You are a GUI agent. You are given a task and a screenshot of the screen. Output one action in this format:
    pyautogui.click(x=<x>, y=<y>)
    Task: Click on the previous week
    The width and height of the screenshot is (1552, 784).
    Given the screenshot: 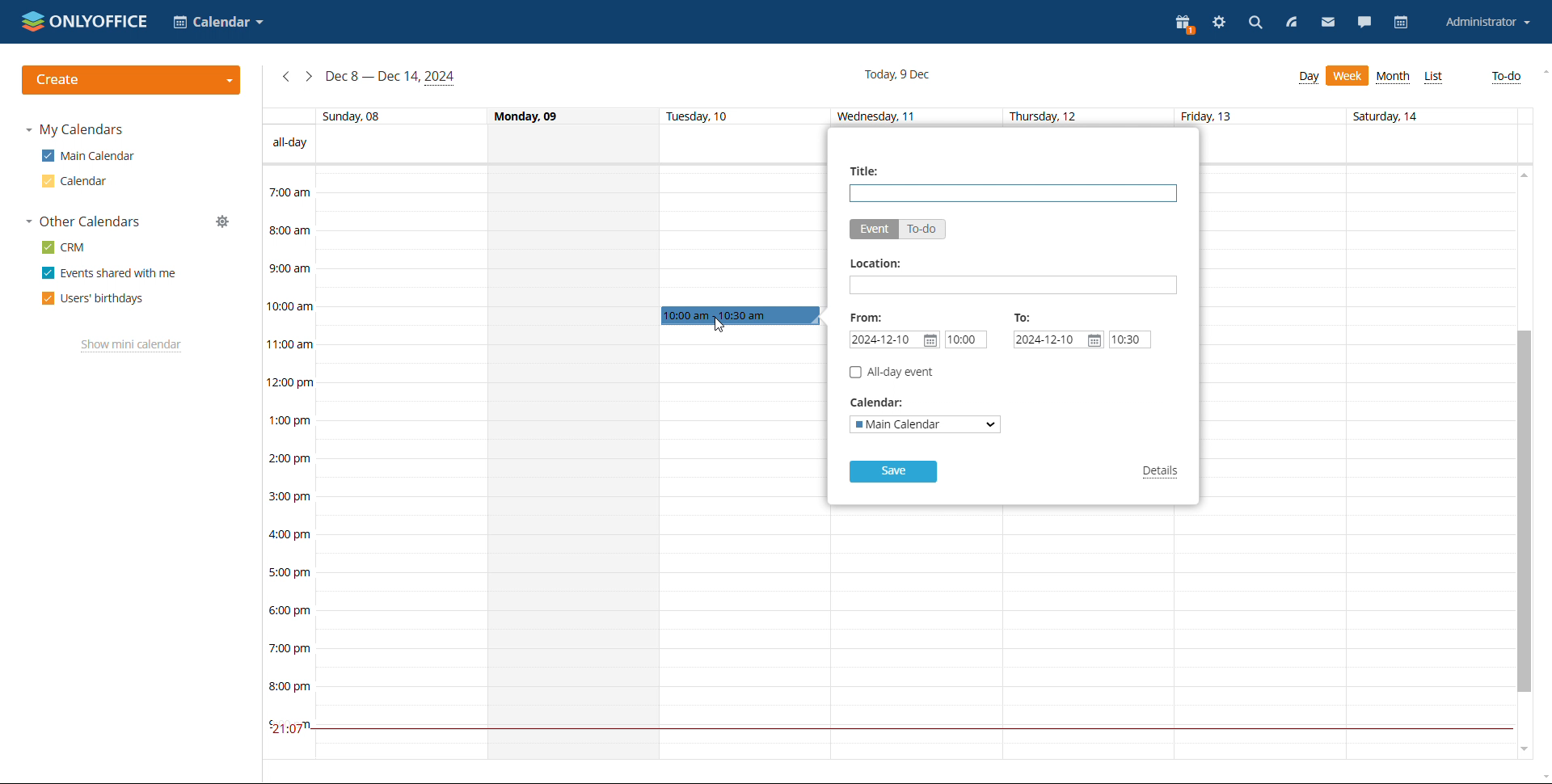 What is the action you would take?
    pyautogui.click(x=286, y=77)
    